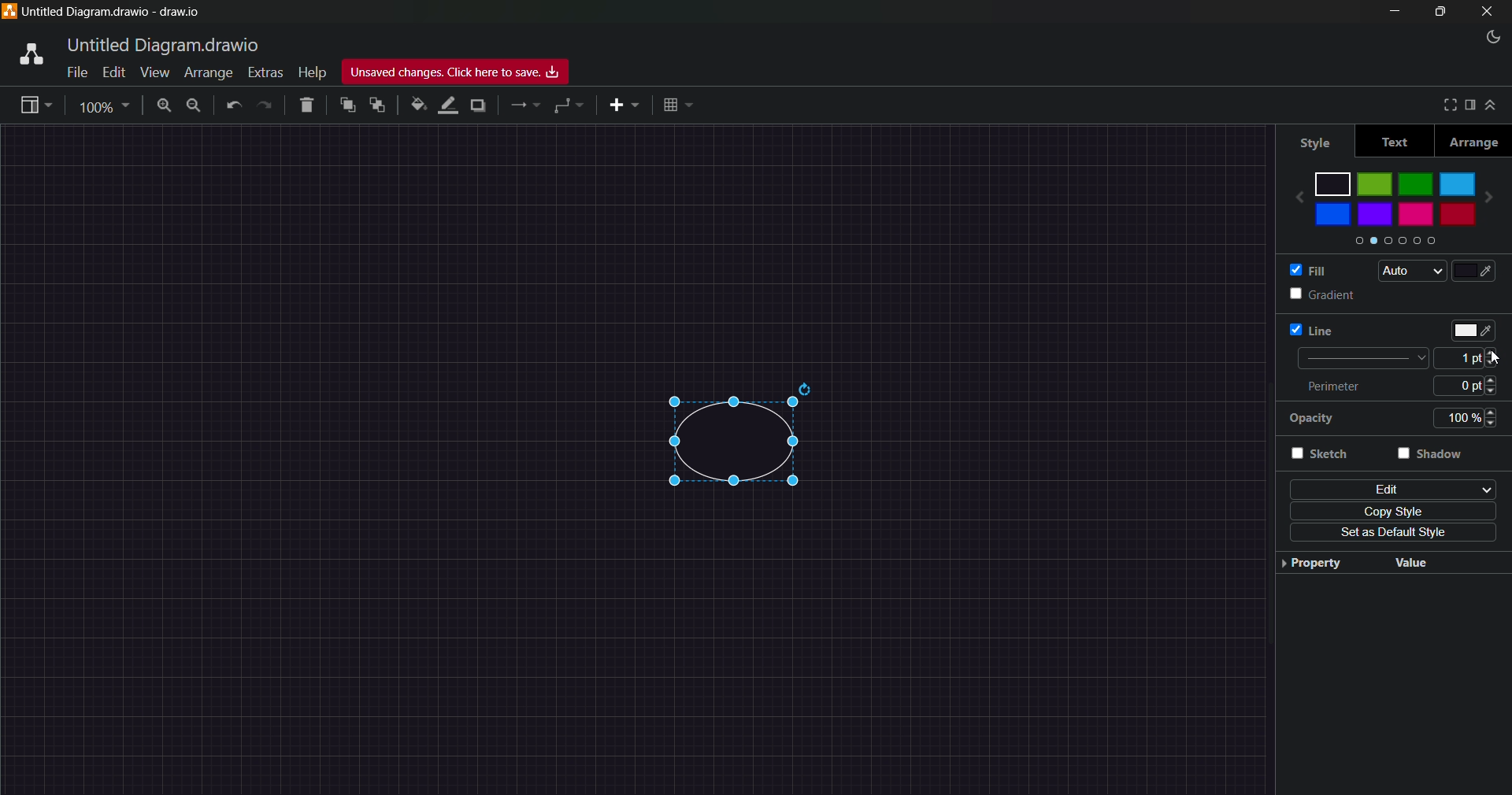 Image resolution: width=1512 pixels, height=795 pixels. Describe the element at coordinates (1326, 295) in the screenshot. I see `gradient` at that location.